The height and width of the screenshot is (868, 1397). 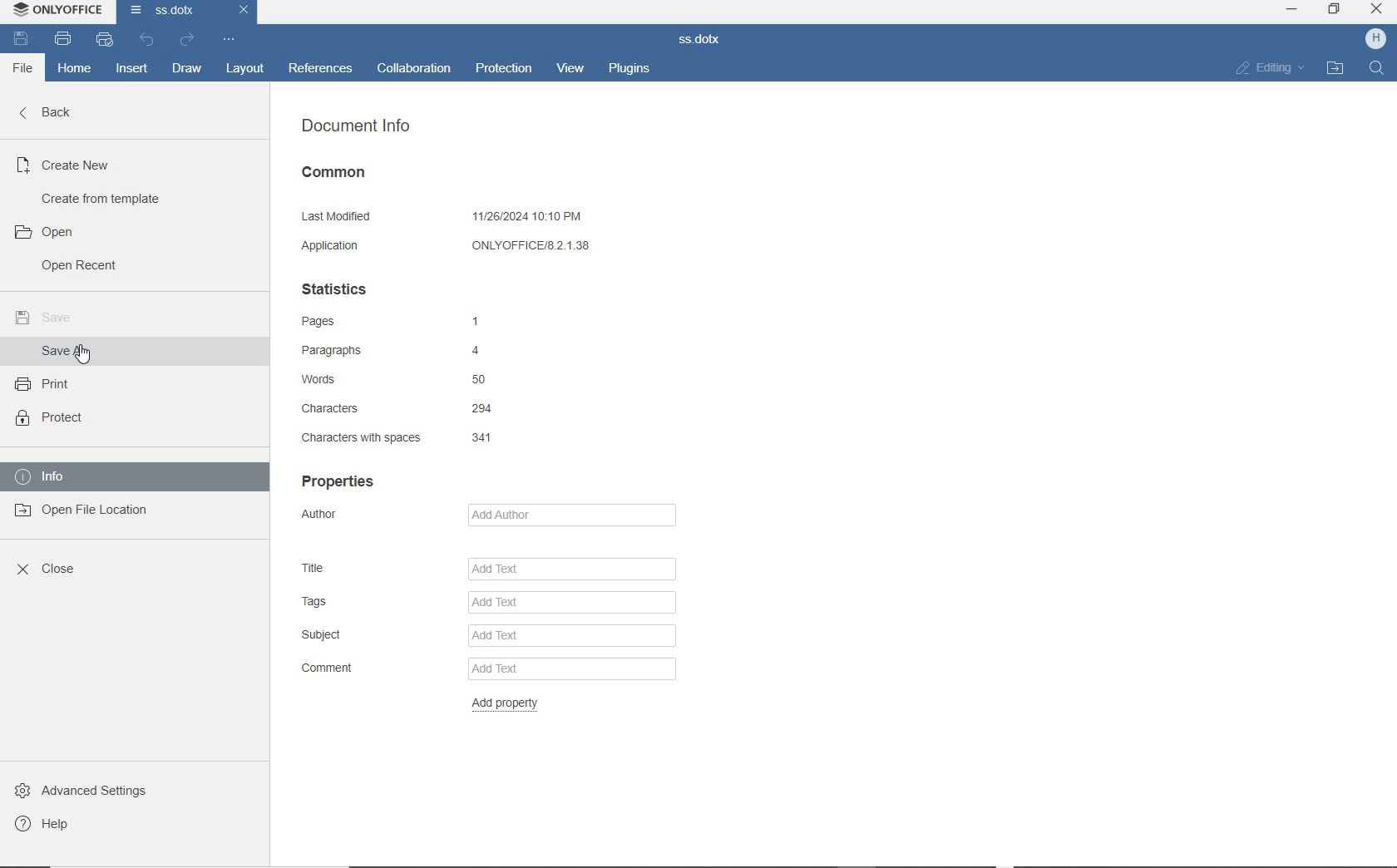 What do you see at coordinates (509, 704) in the screenshot?
I see `ADD PROPERTY` at bounding box center [509, 704].